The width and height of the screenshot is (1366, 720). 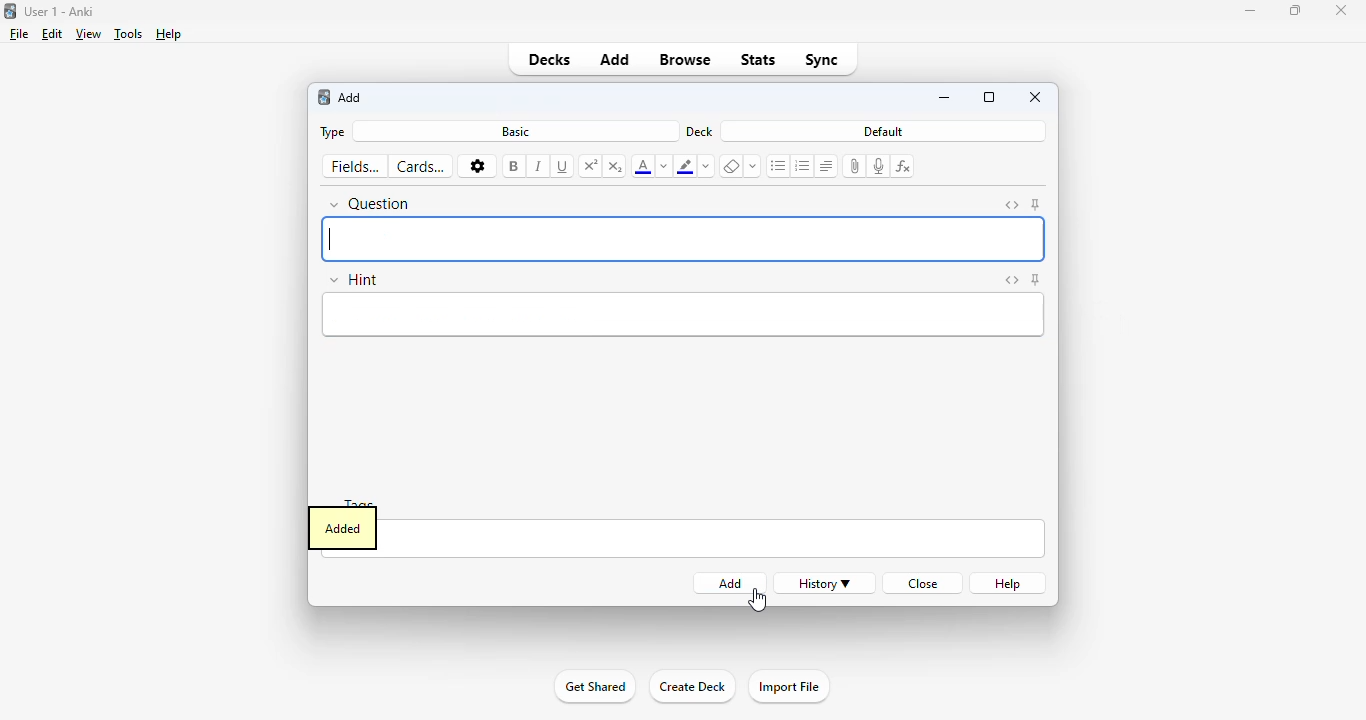 I want to click on minimize, so click(x=1250, y=11).